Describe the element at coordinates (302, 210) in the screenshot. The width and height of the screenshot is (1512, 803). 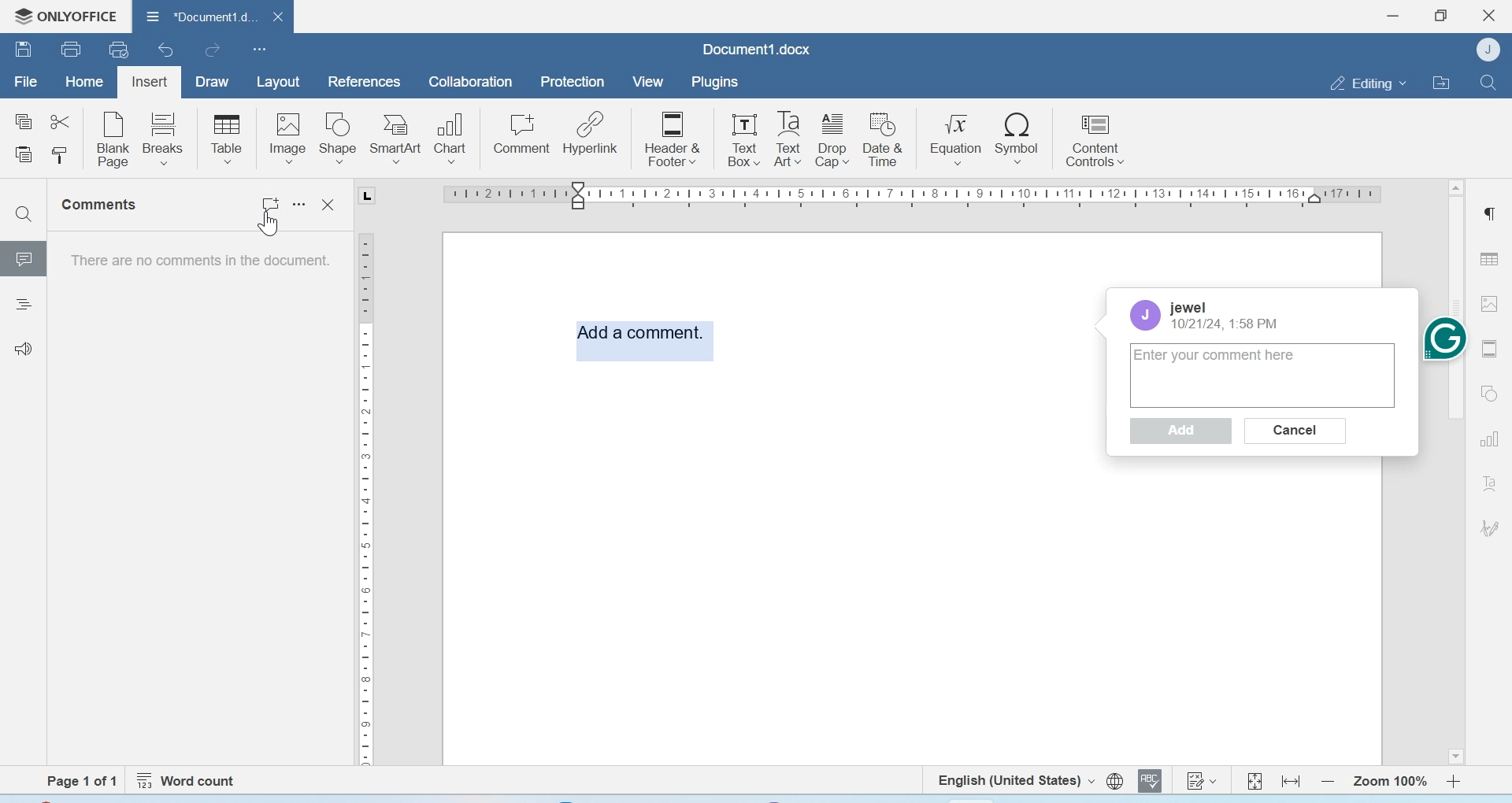
I see `More` at that location.